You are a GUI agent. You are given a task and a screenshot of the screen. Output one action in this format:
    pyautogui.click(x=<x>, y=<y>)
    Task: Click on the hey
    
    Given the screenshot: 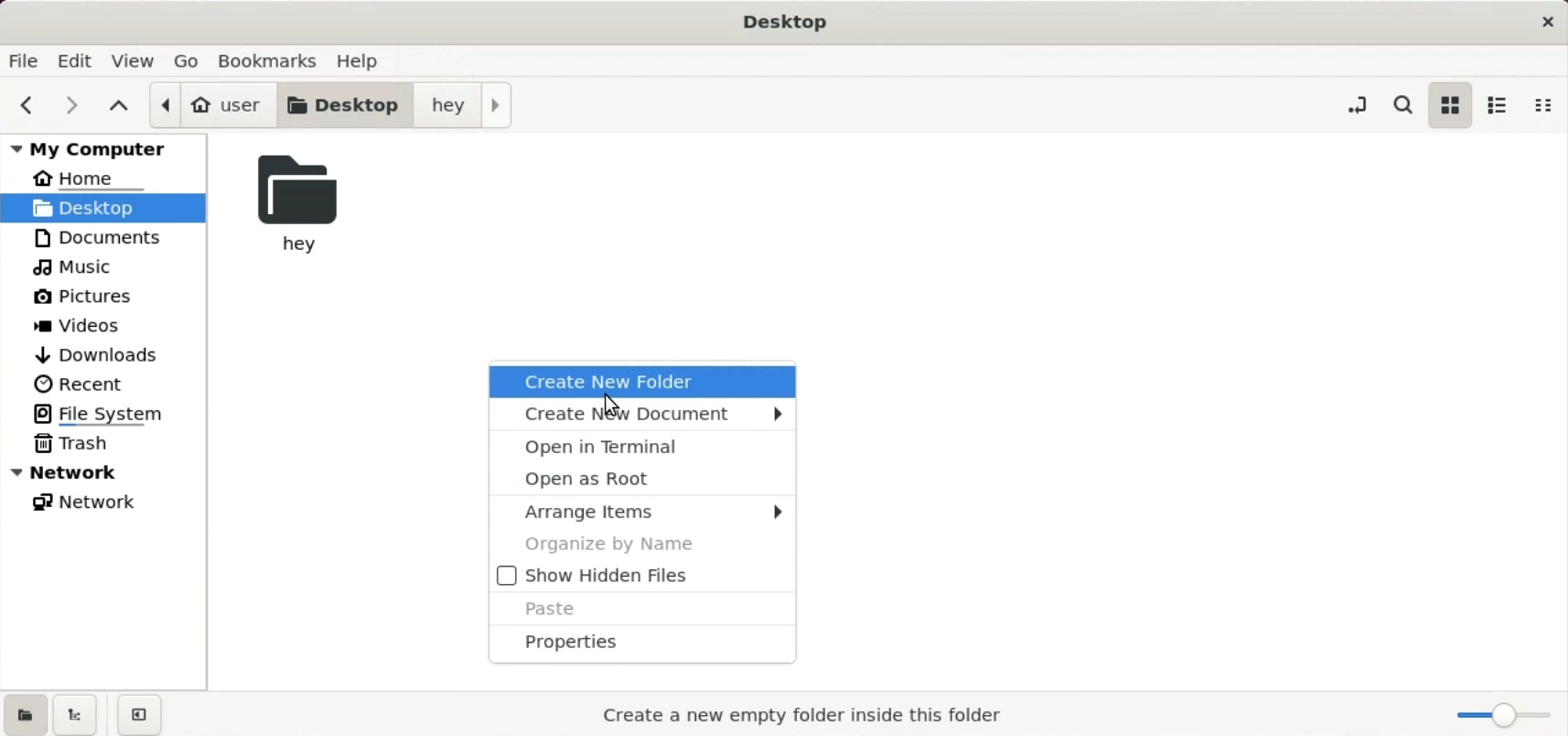 What is the action you would take?
    pyautogui.click(x=467, y=105)
    